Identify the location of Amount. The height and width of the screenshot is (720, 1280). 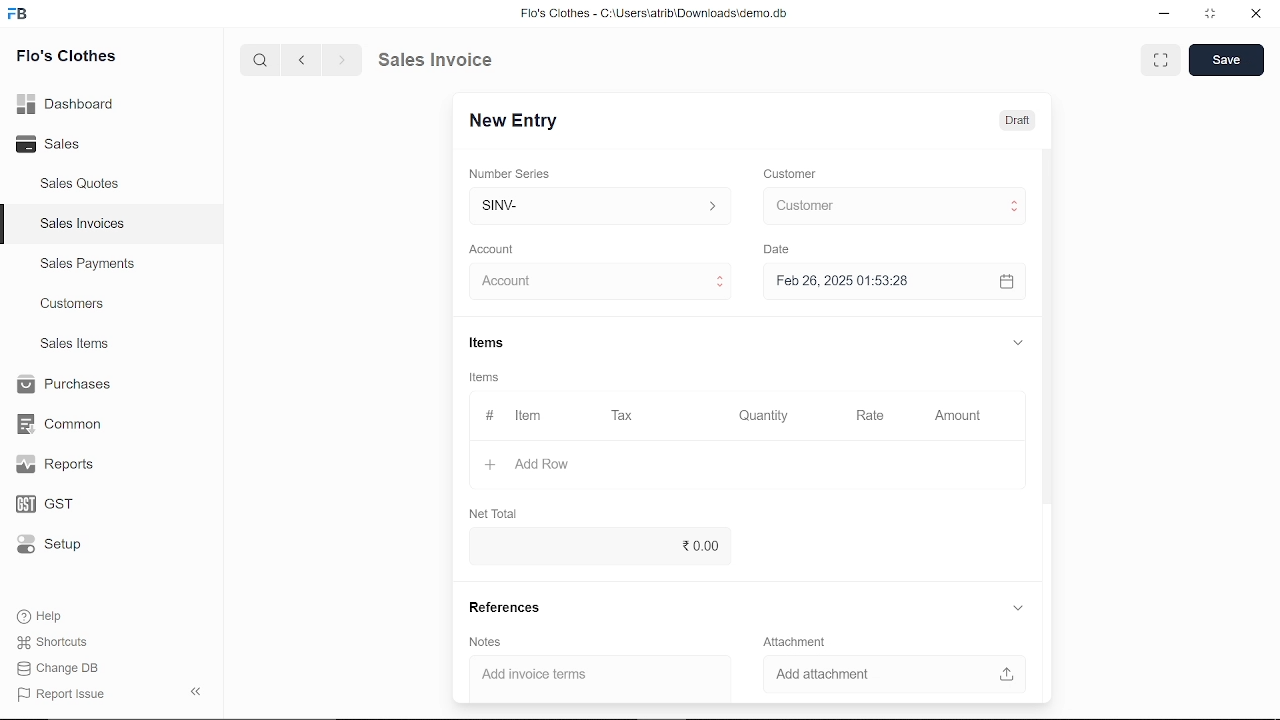
(958, 416).